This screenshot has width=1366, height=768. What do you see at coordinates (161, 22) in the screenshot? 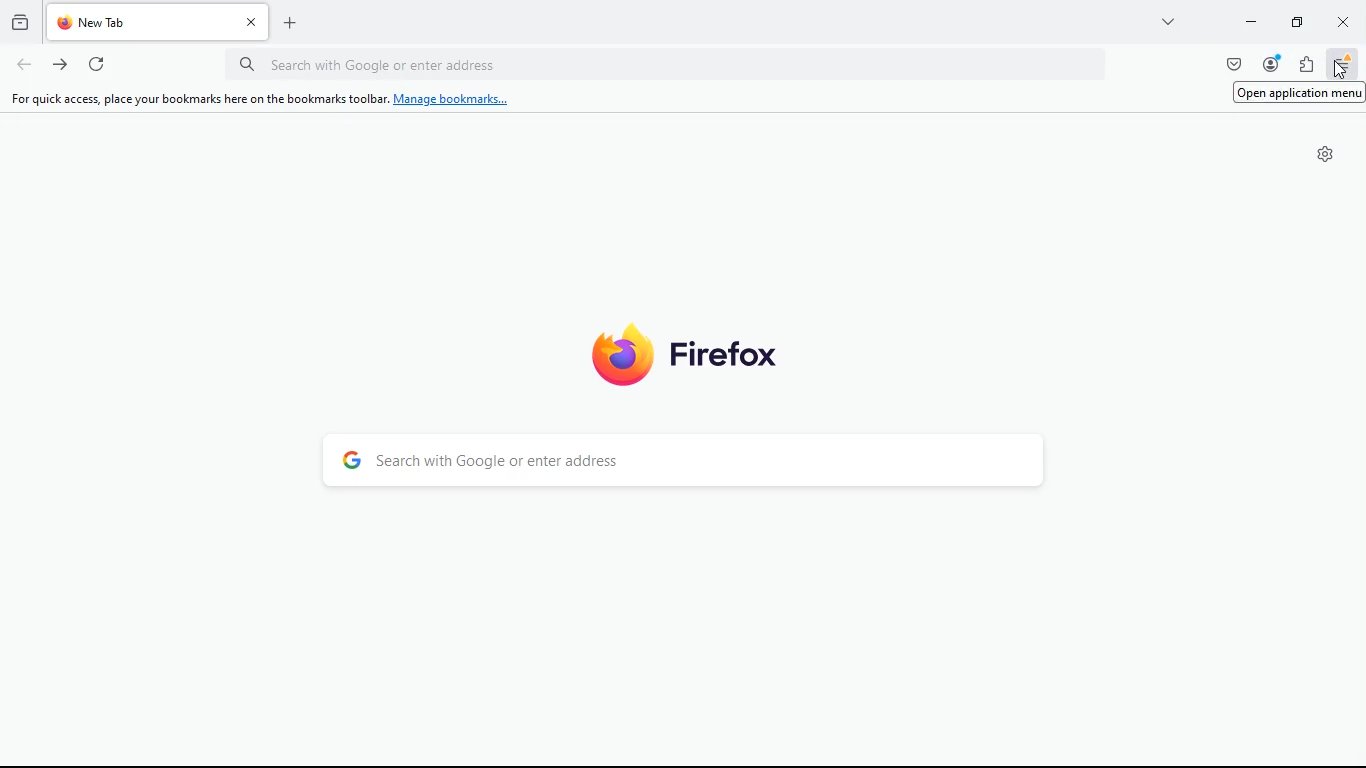
I see `tab` at bounding box center [161, 22].